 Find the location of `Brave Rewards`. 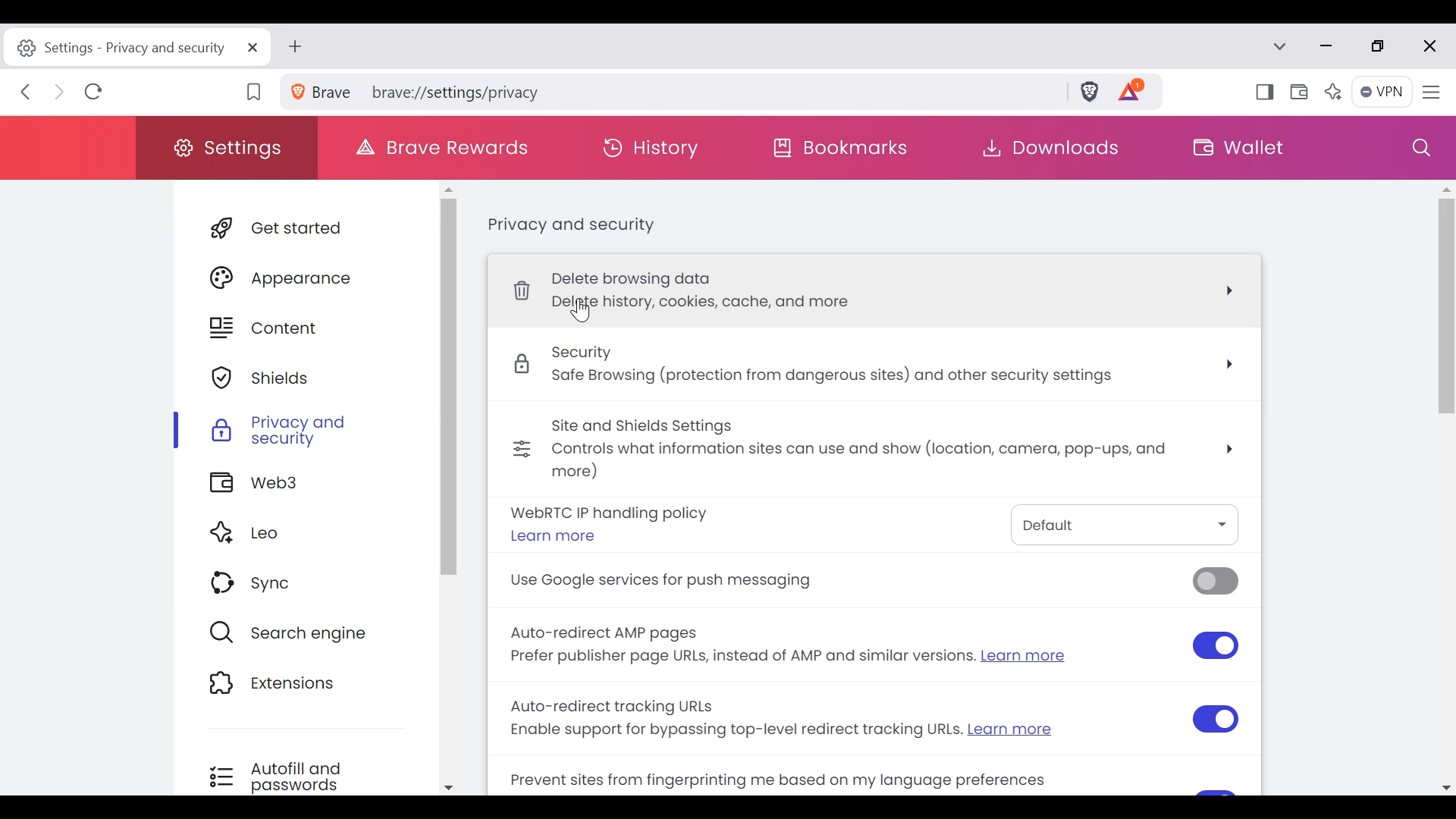

Brave Rewards is located at coordinates (444, 145).